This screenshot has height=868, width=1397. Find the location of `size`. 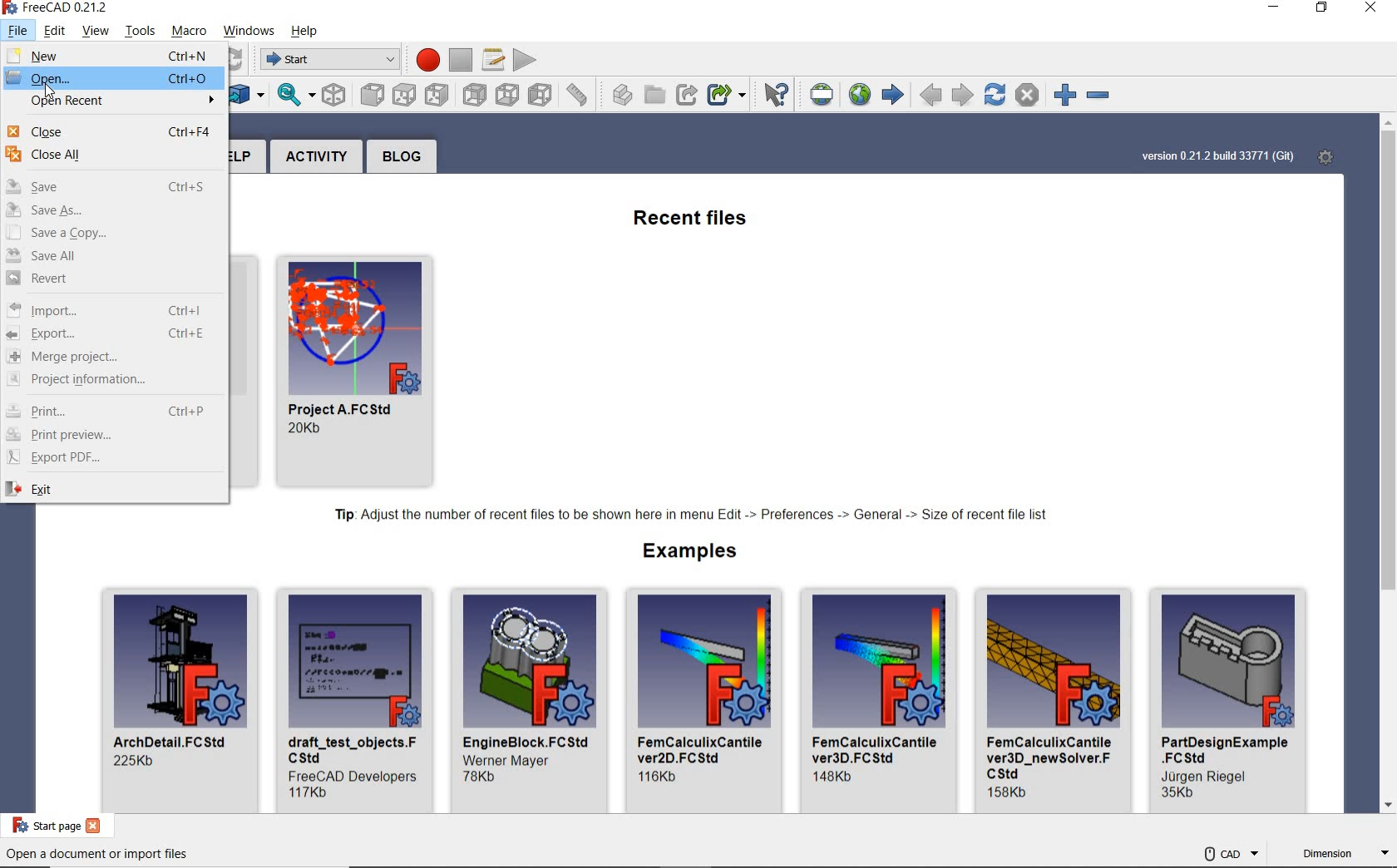

size is located at coordinates (310, 792).